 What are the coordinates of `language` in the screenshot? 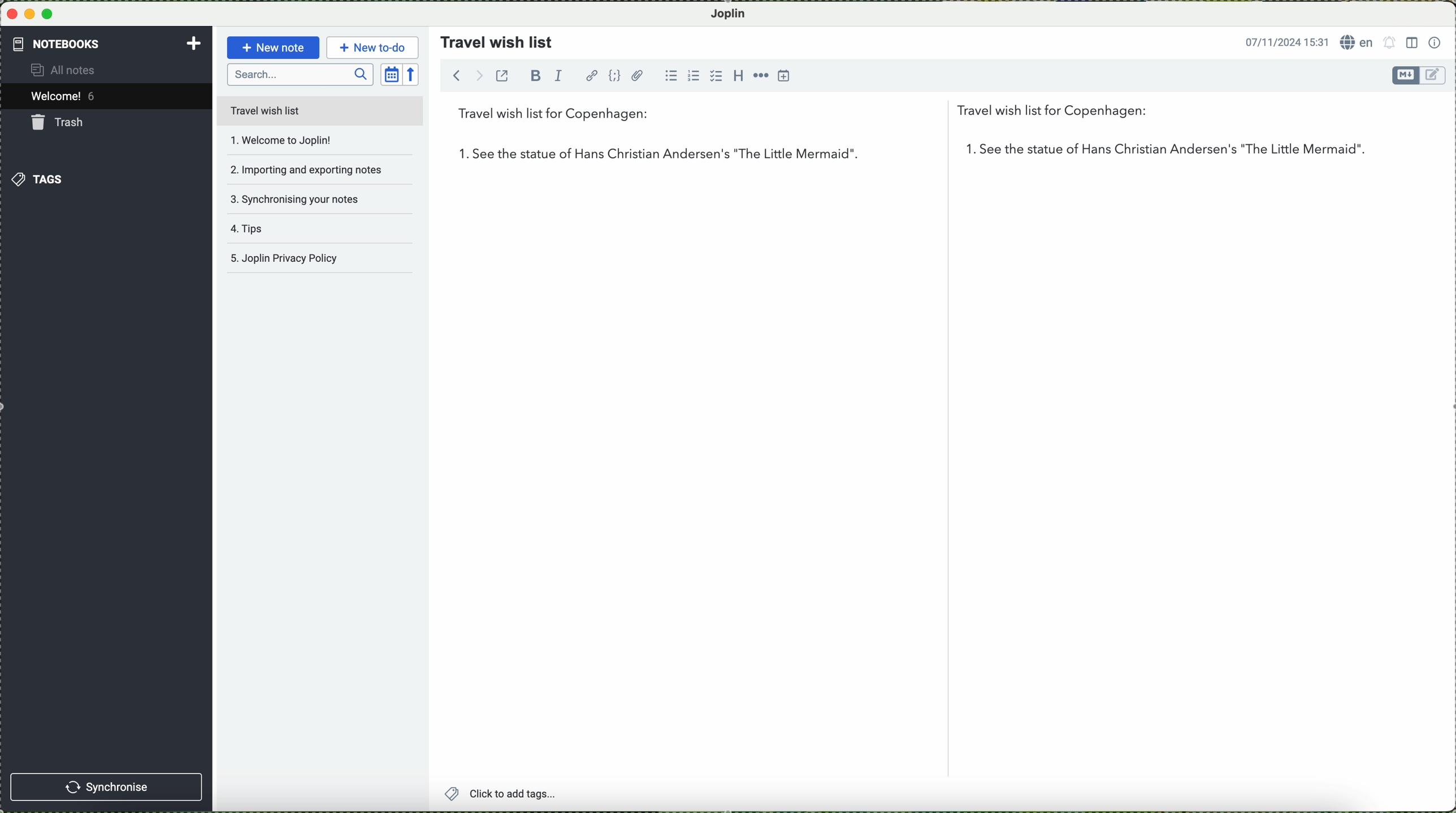 It's located at (1357, 42).